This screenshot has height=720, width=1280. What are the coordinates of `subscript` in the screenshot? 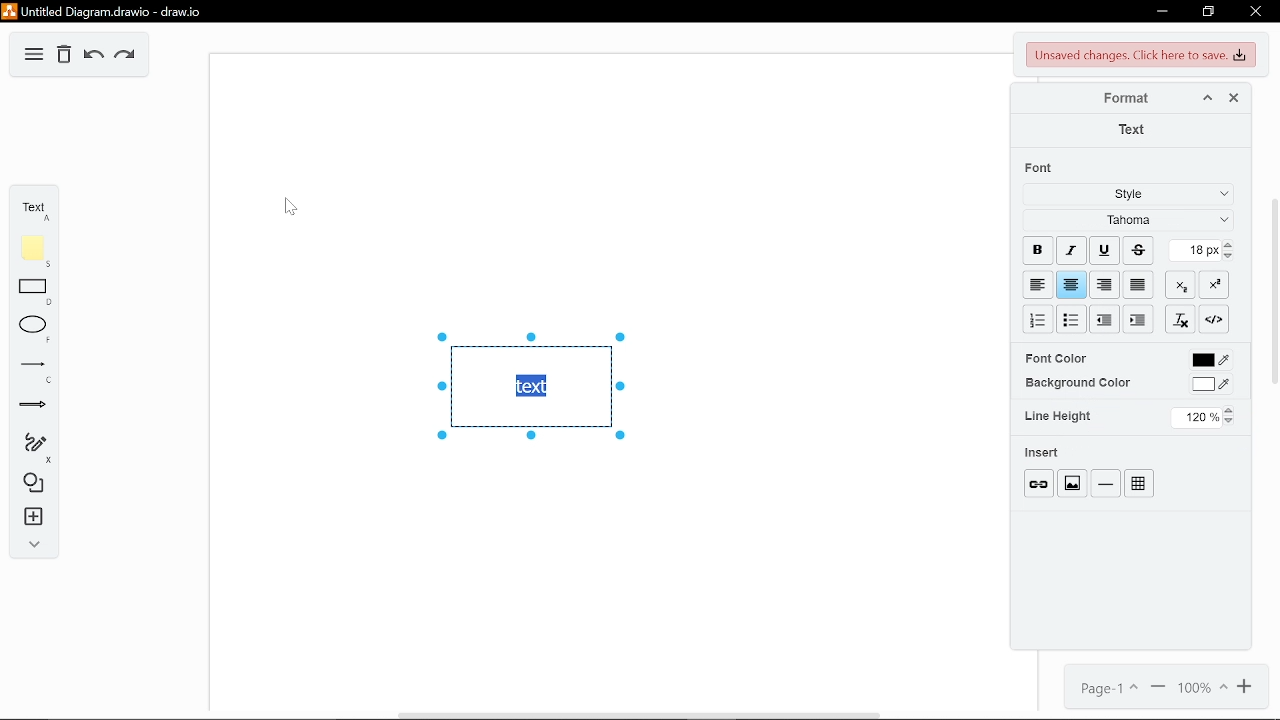 It's located at (1182, 286).